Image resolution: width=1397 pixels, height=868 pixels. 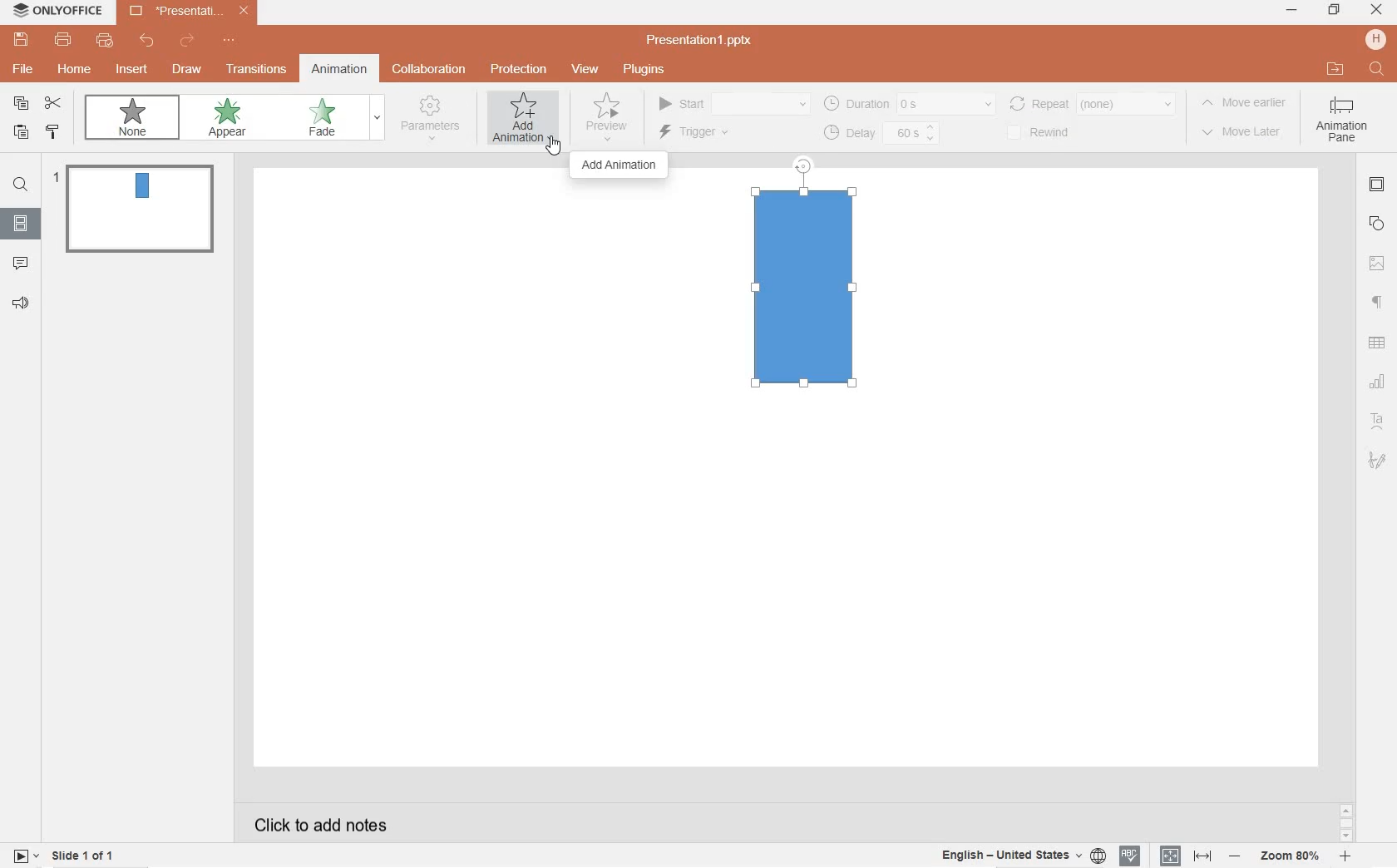 What do you see at coordinates (26, 855) in the screenshot?
I see `start slide show` at bounding box center [26, 855].